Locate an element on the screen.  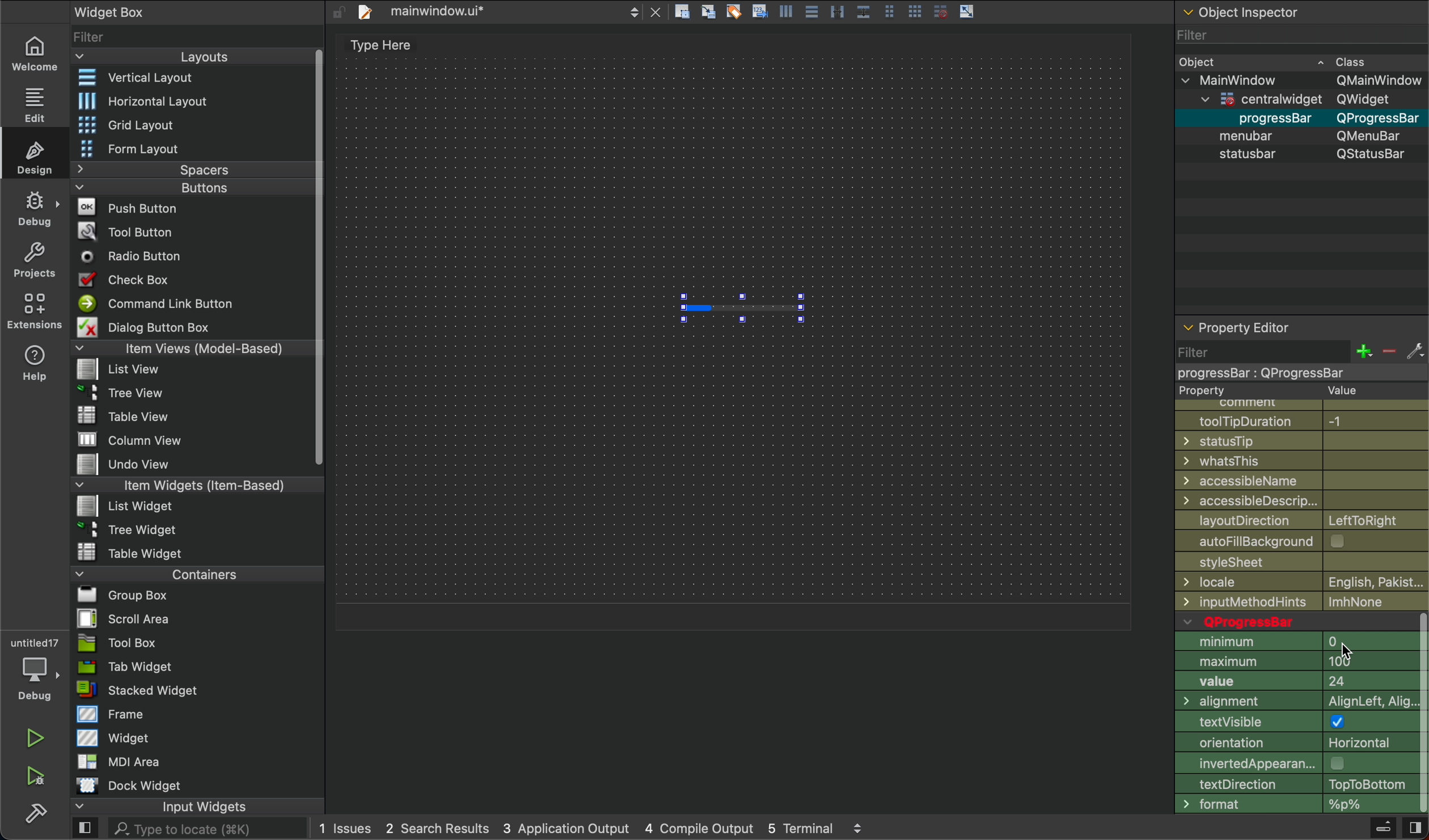
Vertical Scroll is located at coordinates (316, 258).